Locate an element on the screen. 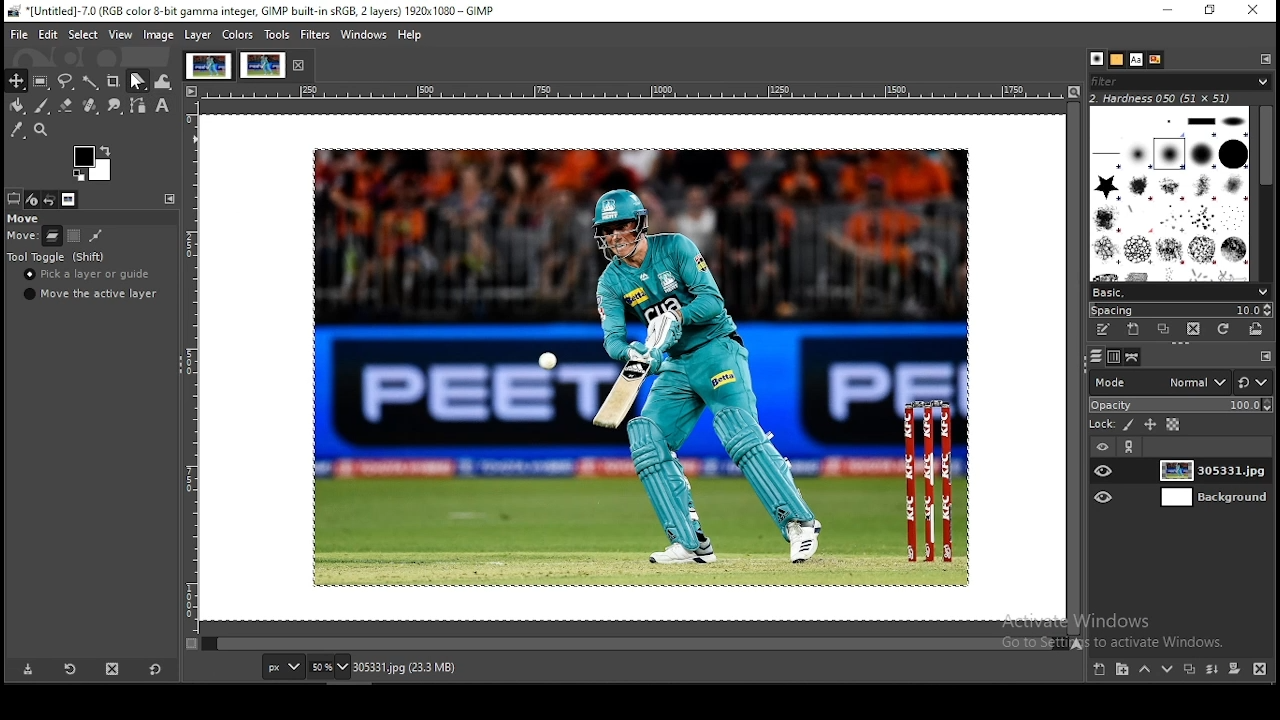 The image size is (1280, 720). selection is located at coordinates (75, 236).